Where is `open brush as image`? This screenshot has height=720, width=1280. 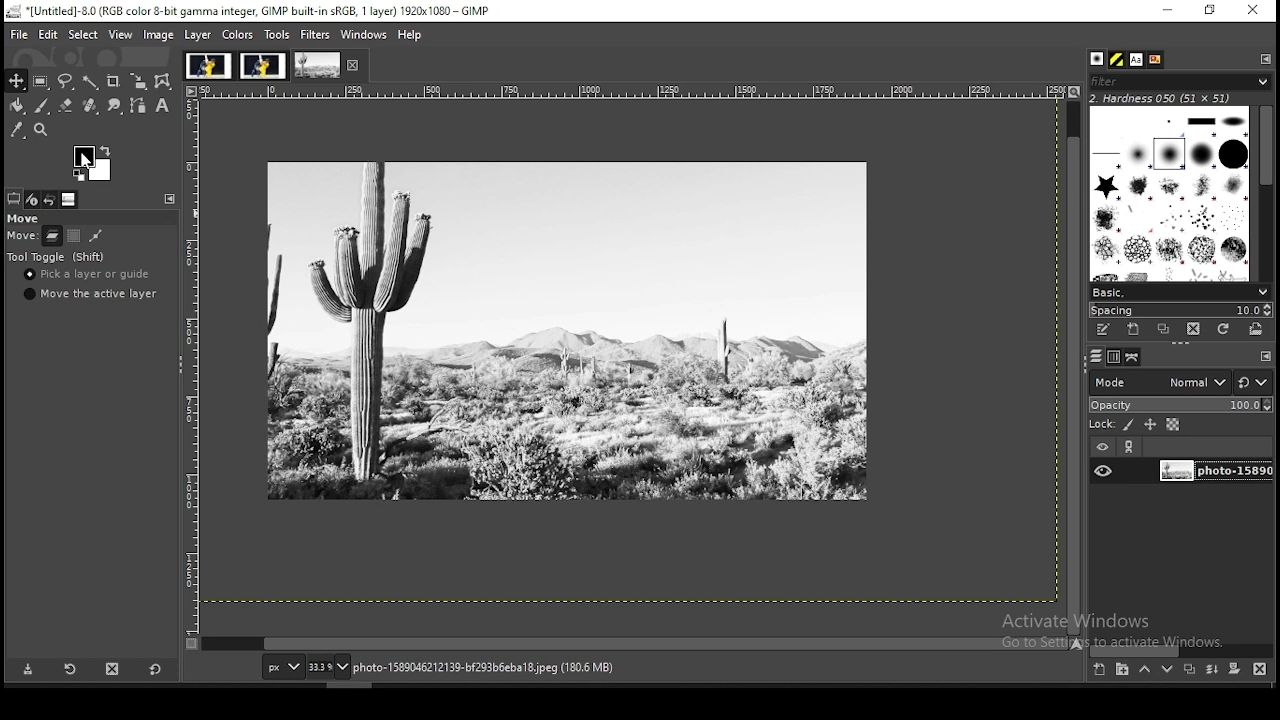 open brush as image is located at coordinates (1257, 330).